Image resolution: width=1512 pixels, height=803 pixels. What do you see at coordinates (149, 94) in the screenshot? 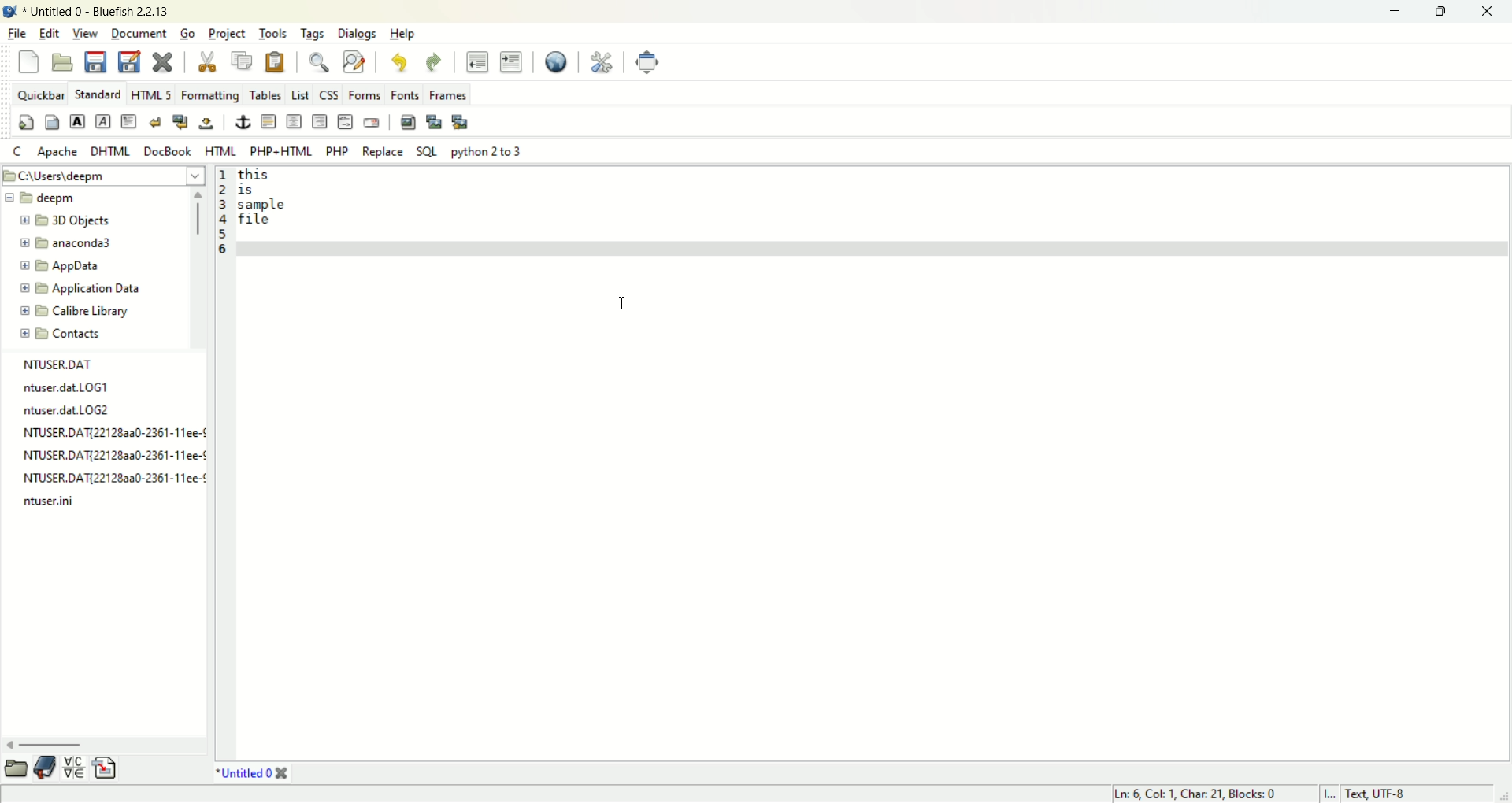
I see `HTML 5` at bounding box center [149, 94].